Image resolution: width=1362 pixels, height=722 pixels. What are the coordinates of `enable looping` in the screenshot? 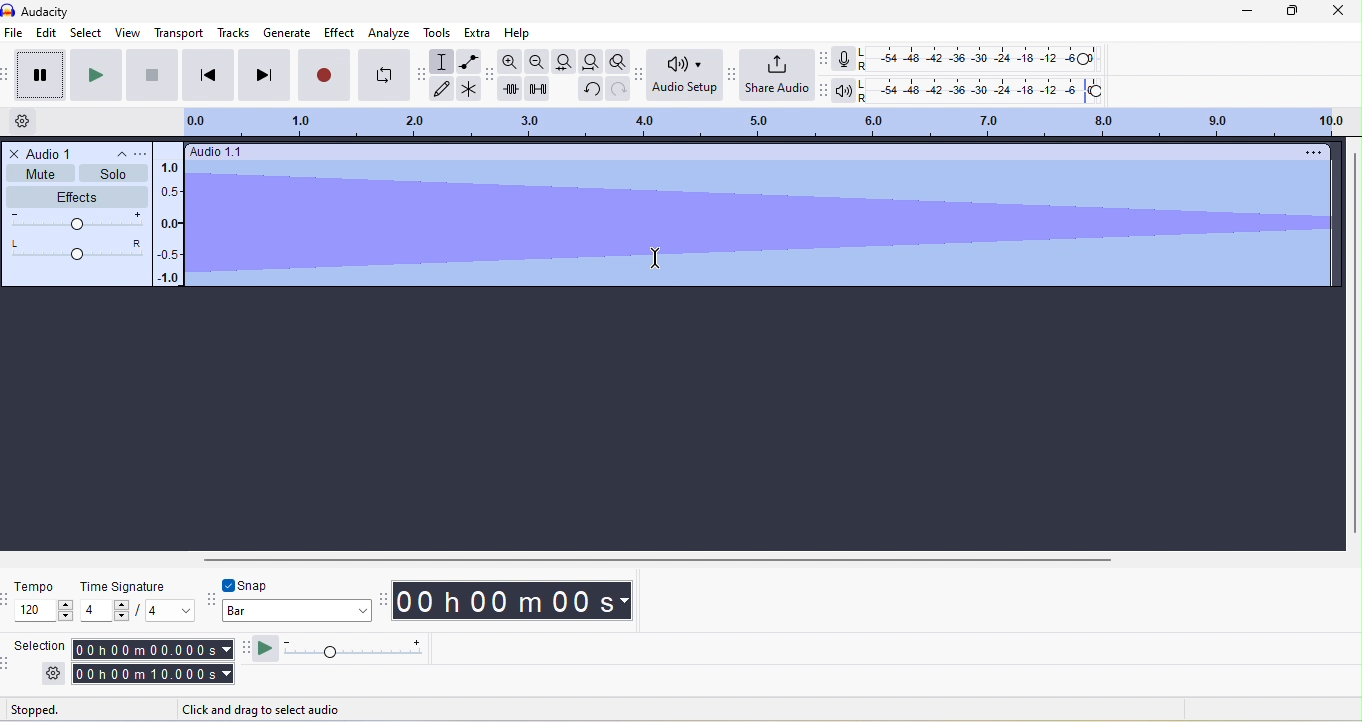 It's located at (384, 73).